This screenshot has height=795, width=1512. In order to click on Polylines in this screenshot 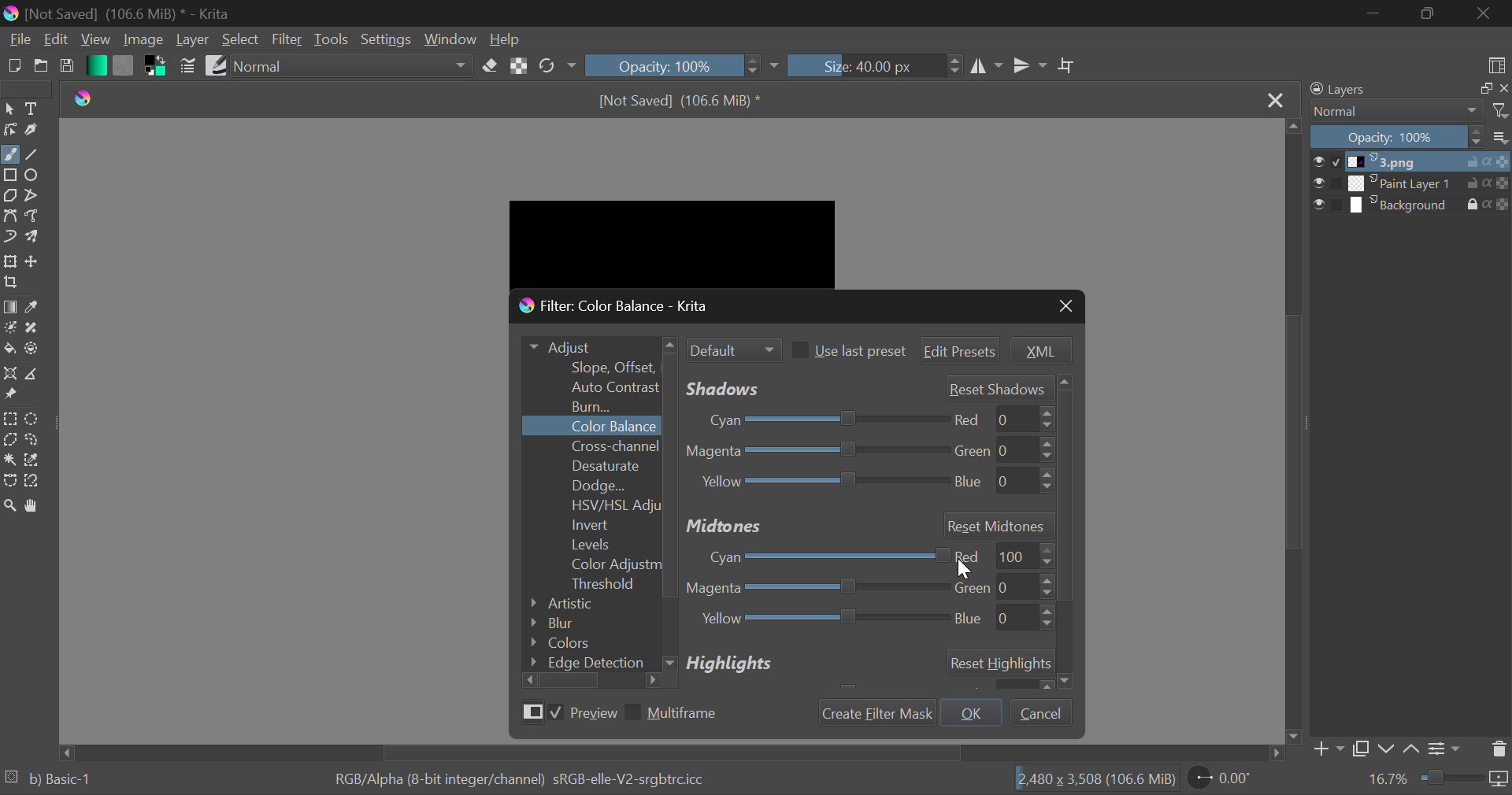, I will do `click(32, 198)`.